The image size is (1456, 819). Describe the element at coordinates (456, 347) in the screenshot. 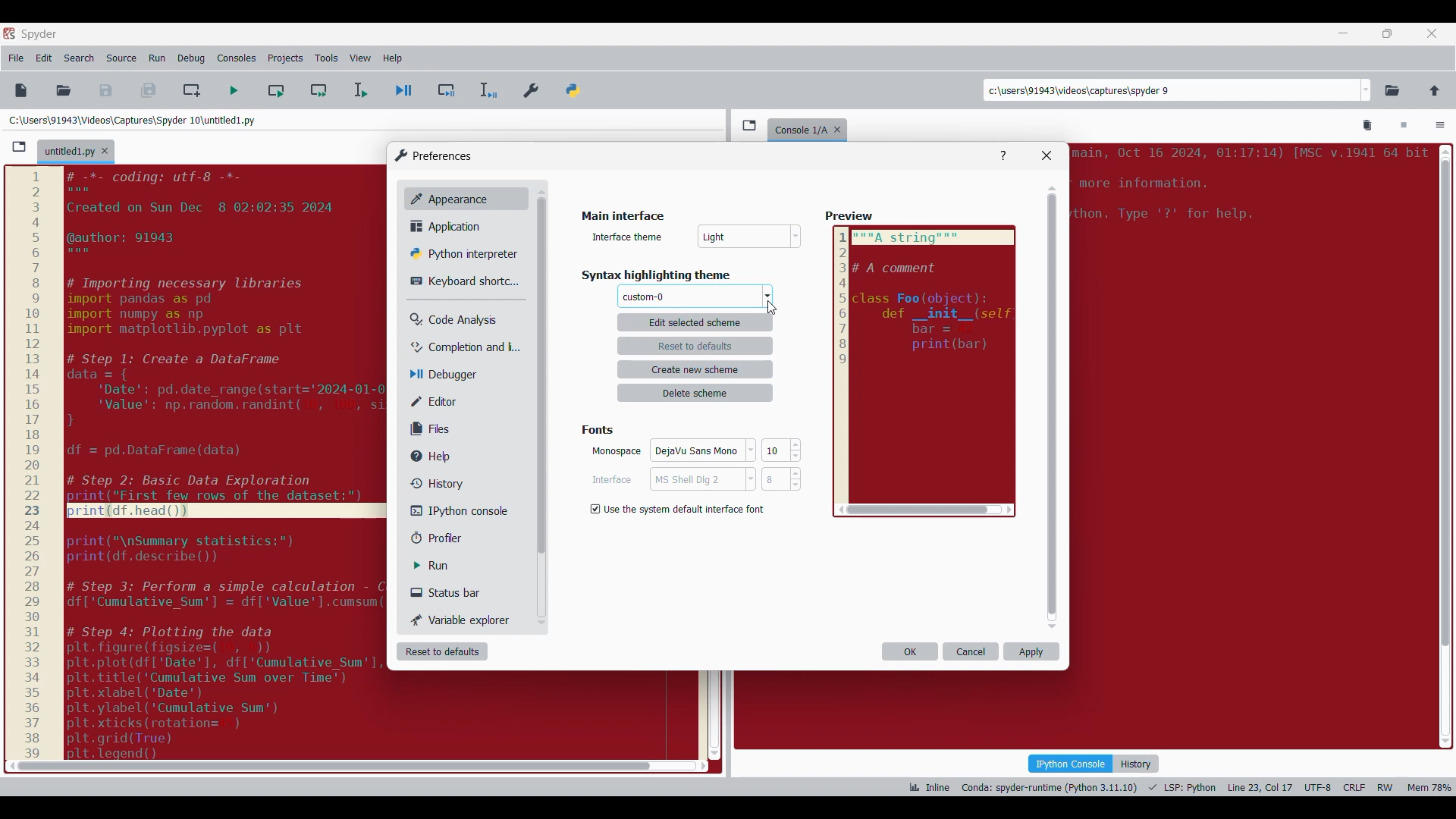

I see `Completion and linting` at that location.